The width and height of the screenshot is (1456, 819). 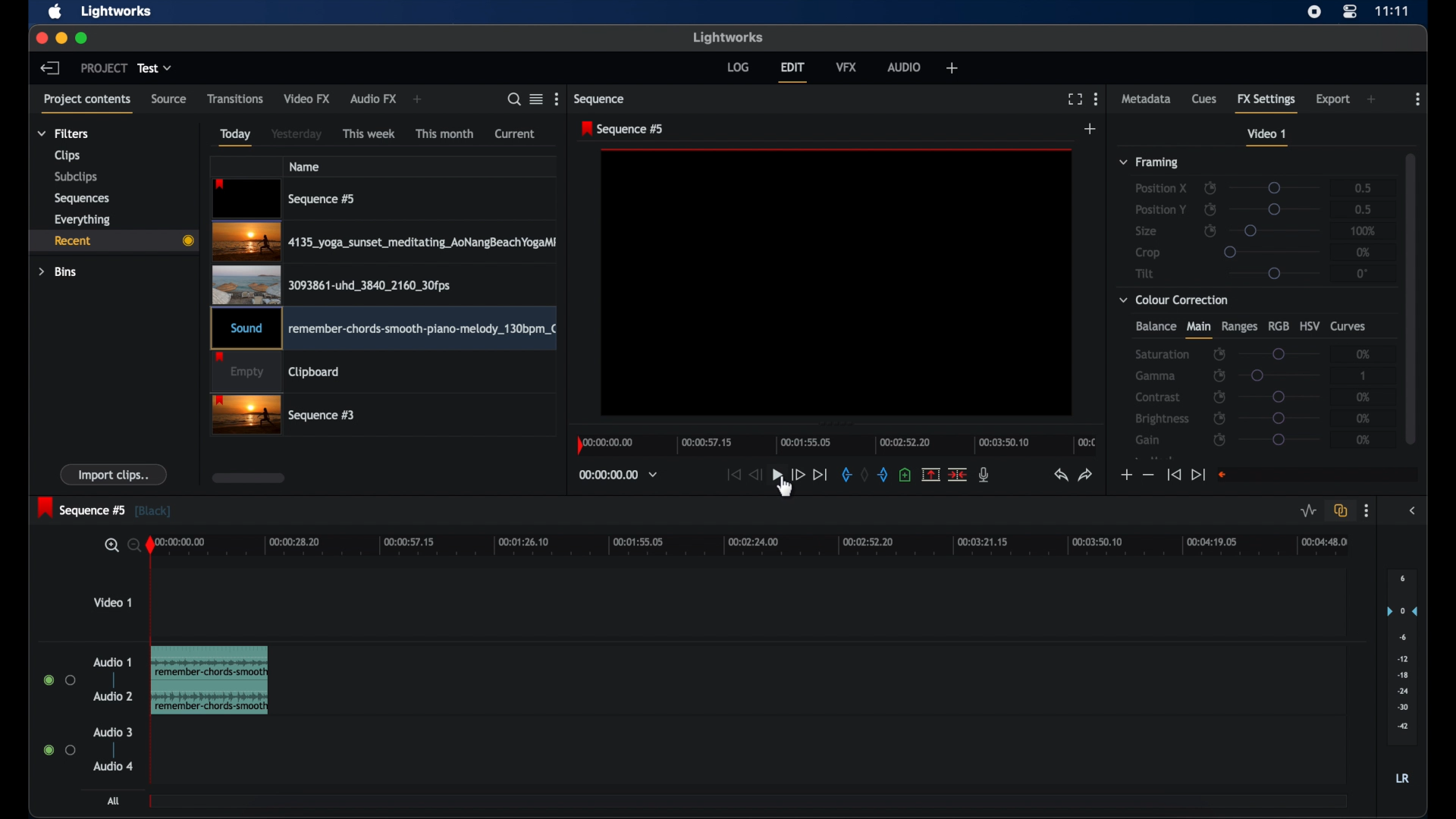 What do you see at coordinates (793, 73) in the screenshot?
I see `edit` at bounding box center [793, 73].